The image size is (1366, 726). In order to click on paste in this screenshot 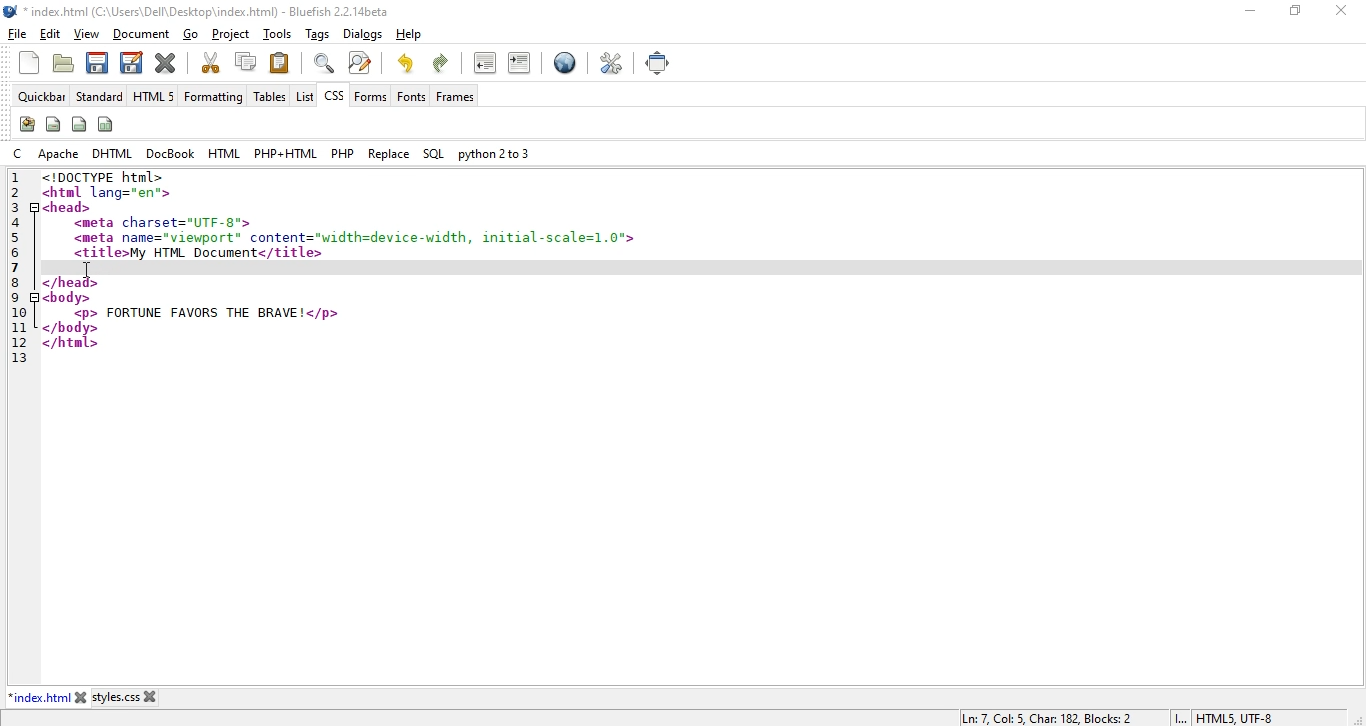, I will do `click(280, 62)`.